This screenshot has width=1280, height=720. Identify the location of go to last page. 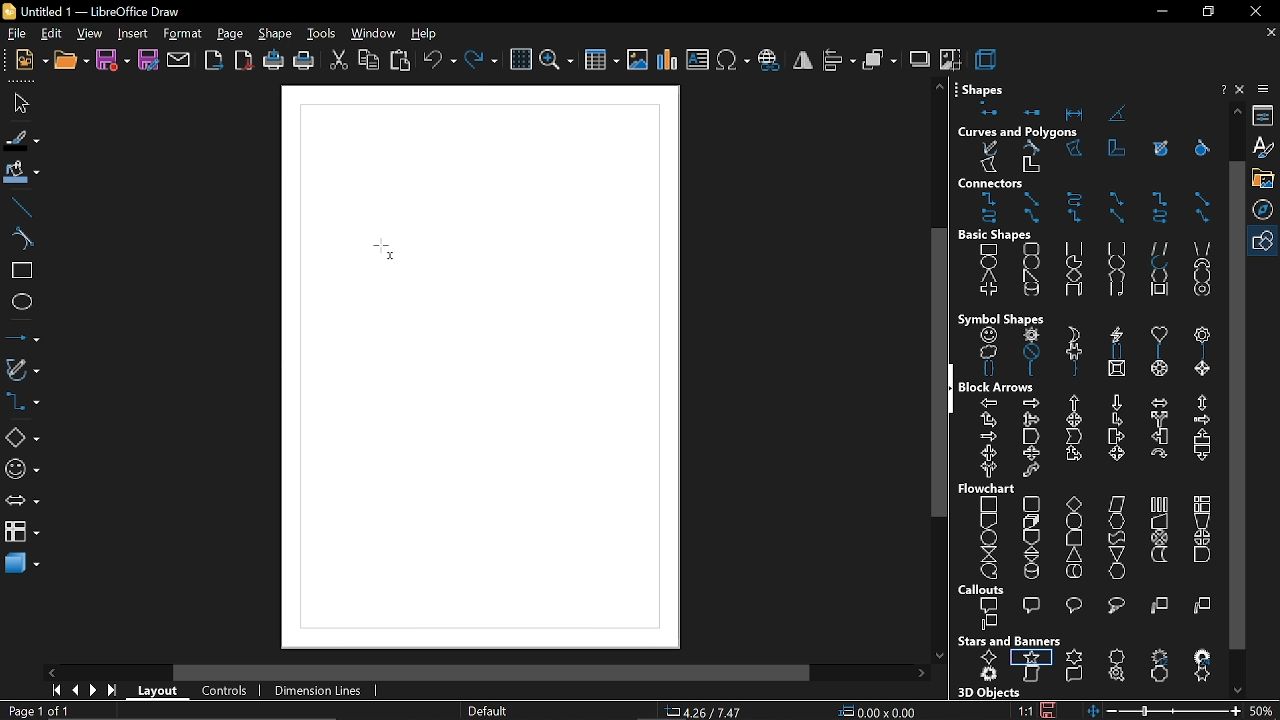
(114, 691).